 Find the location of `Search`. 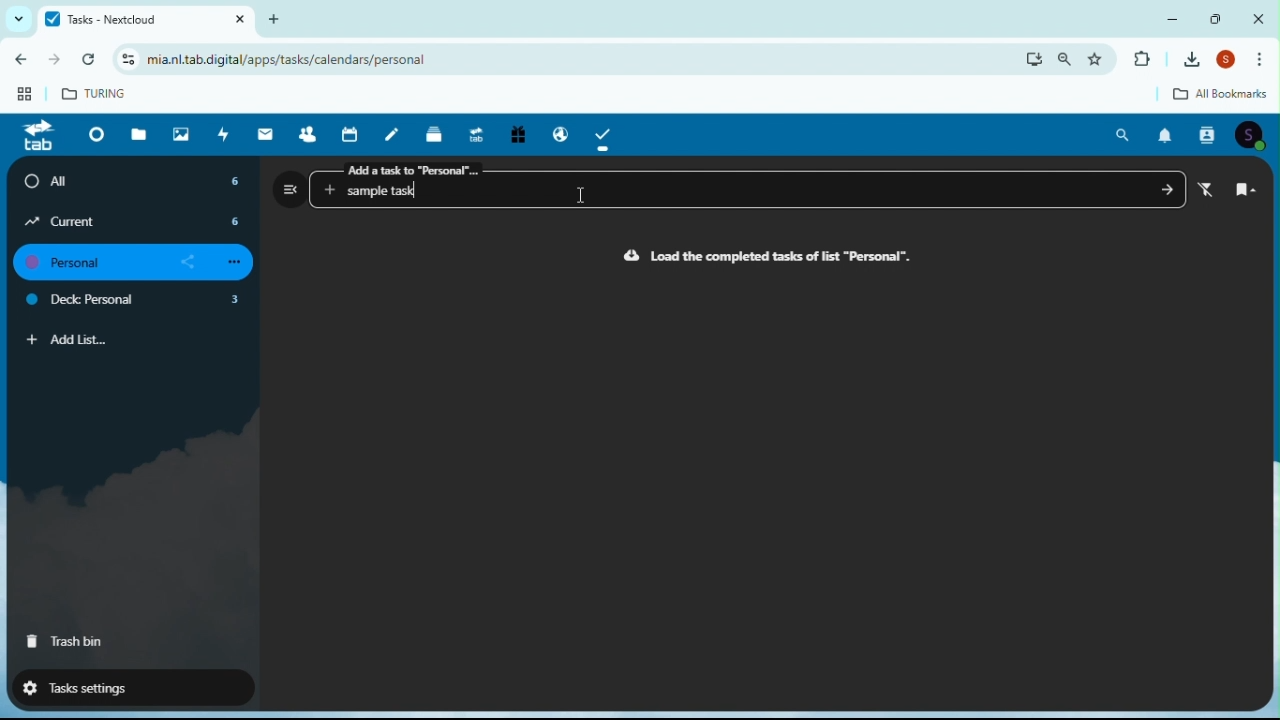

Search is located at coordinates (1124, 135).